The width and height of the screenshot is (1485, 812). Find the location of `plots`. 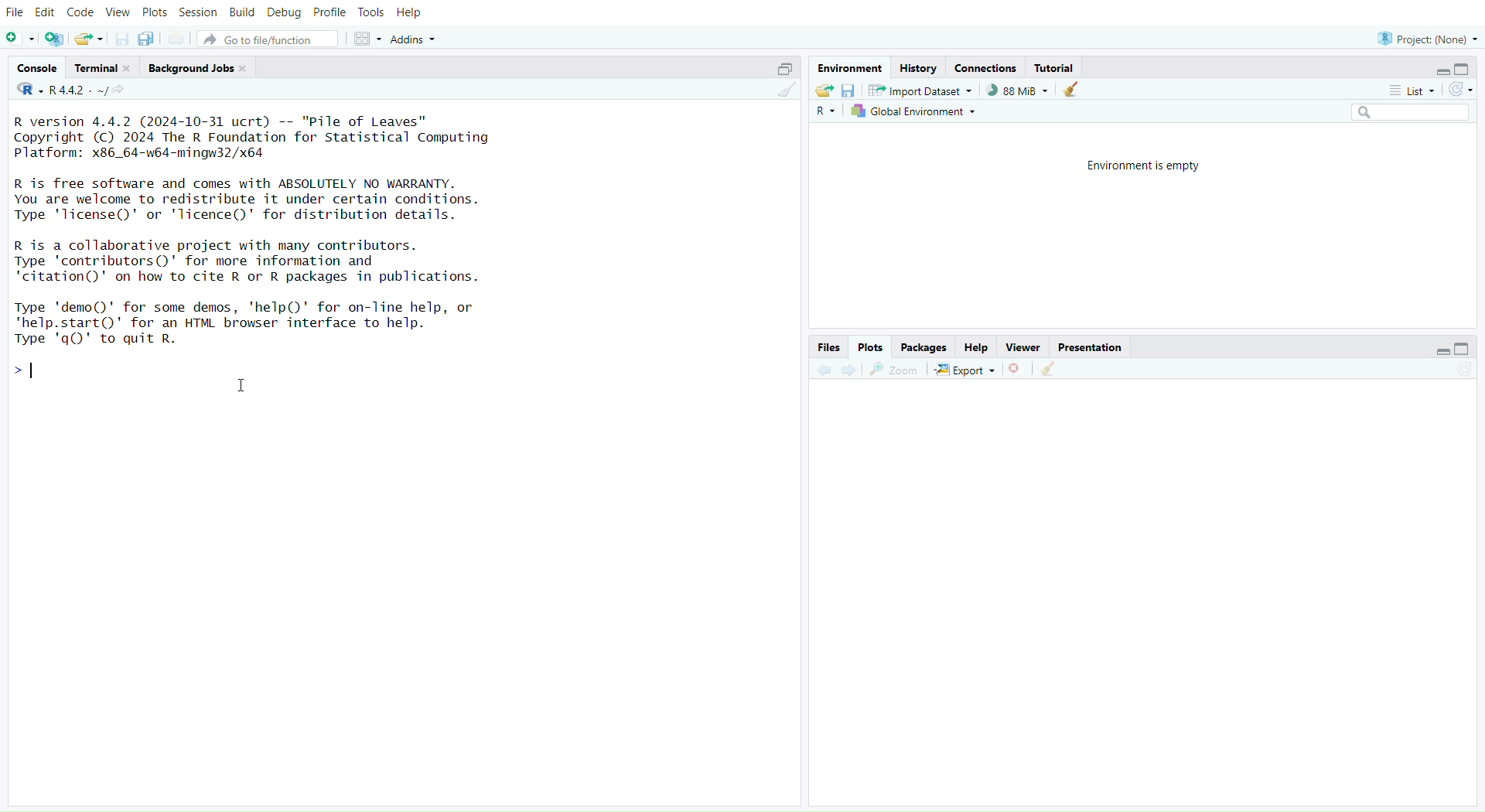

plots is located at coordinates (156, 12).